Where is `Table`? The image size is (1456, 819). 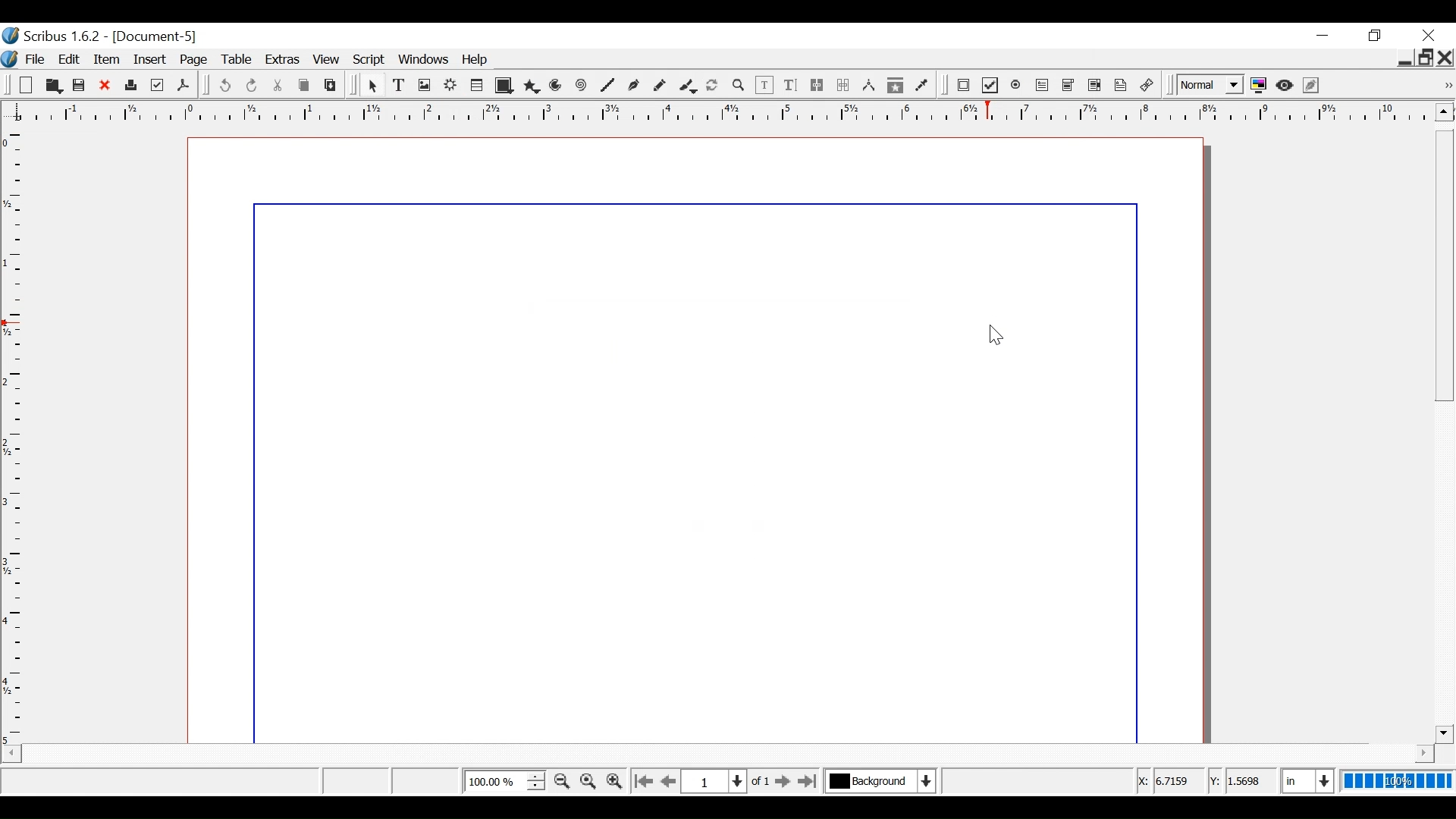 Table is located at coordinates (476, 86).